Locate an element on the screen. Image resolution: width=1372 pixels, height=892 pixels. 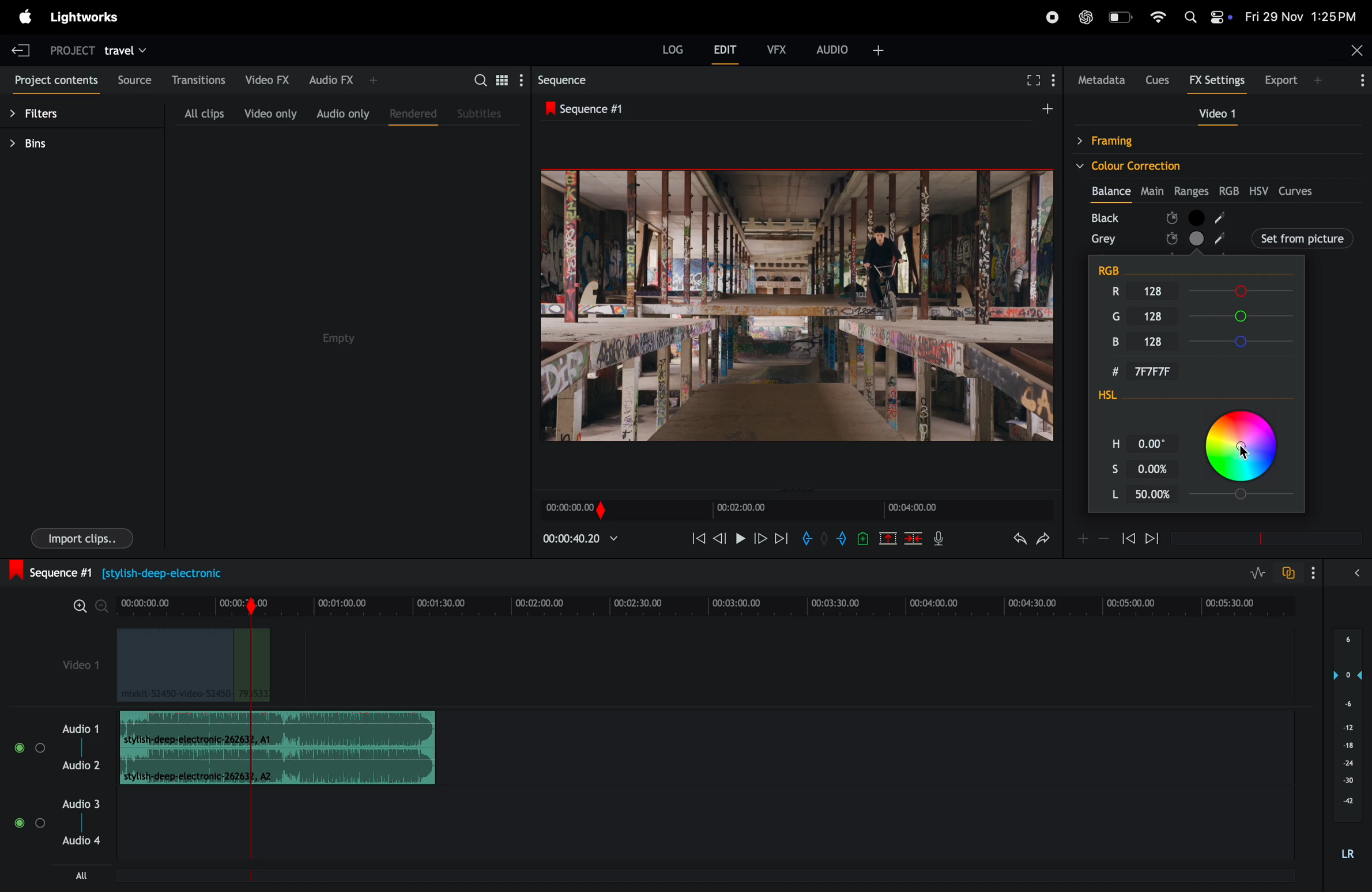
toggle between list view is located at coordinates (504, 80).